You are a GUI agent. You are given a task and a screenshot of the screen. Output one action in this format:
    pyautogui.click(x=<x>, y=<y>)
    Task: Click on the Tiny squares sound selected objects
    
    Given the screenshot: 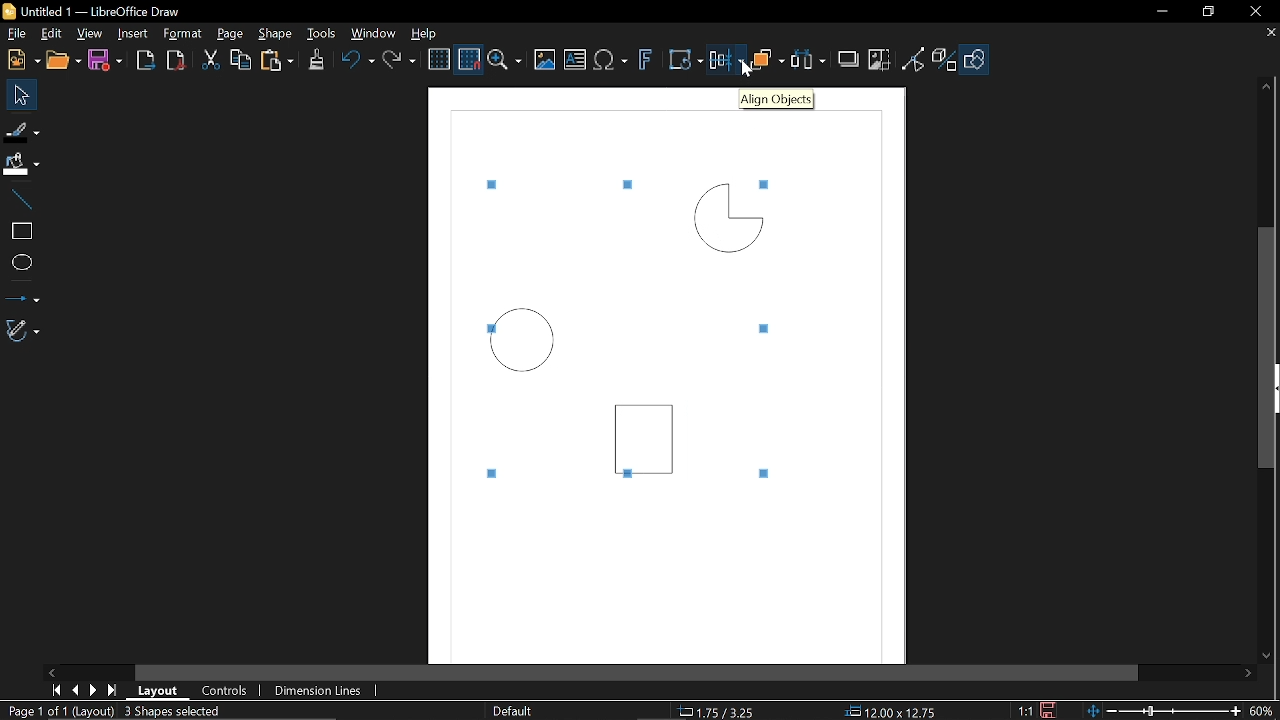 What is the action you would take?
    pyautogui.click(x=495, y=472)
    